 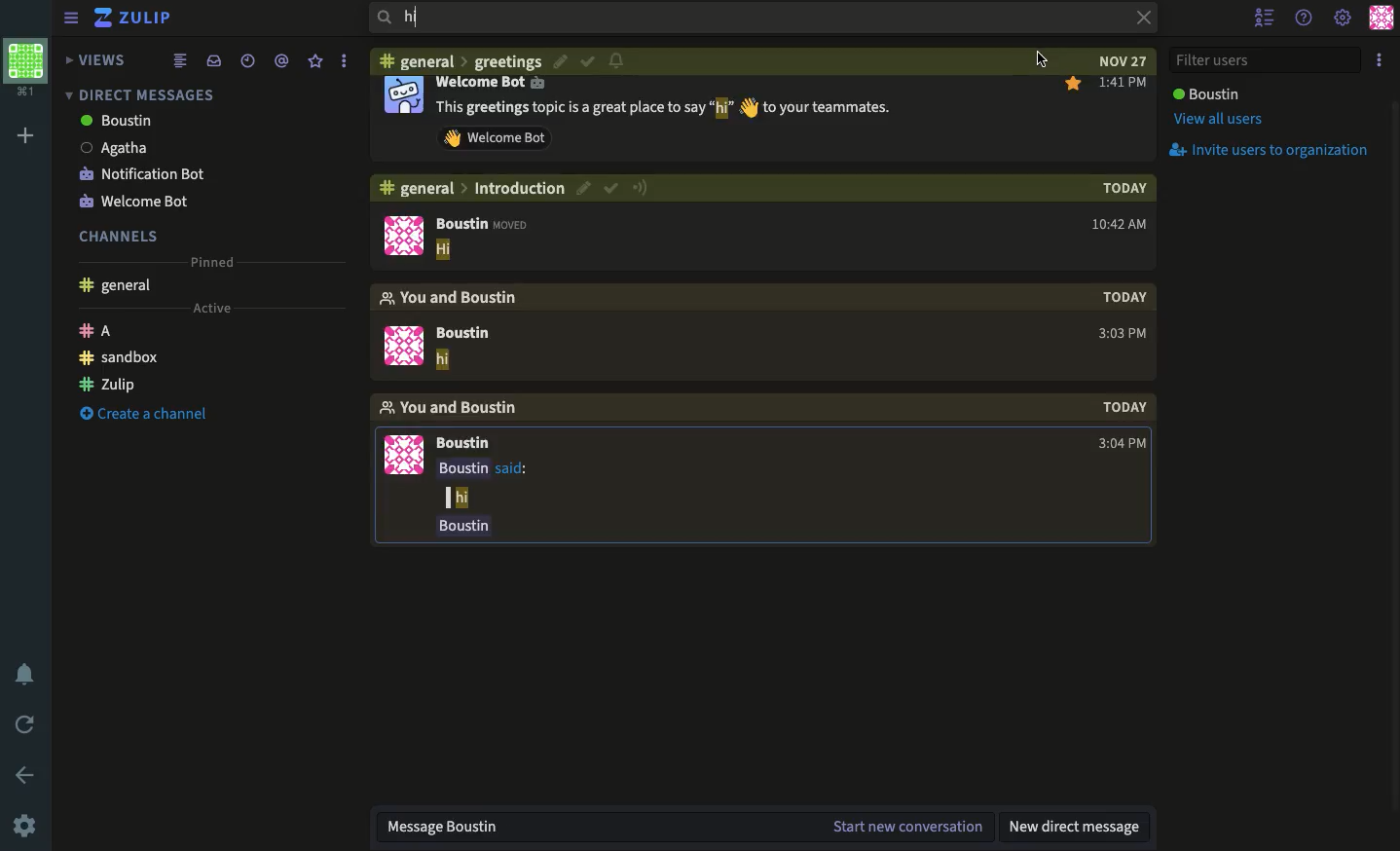 What do you see at coordinates (1123, 84) in the screenshot?
I see `1:41PM` at bounding box center [1123, 84].